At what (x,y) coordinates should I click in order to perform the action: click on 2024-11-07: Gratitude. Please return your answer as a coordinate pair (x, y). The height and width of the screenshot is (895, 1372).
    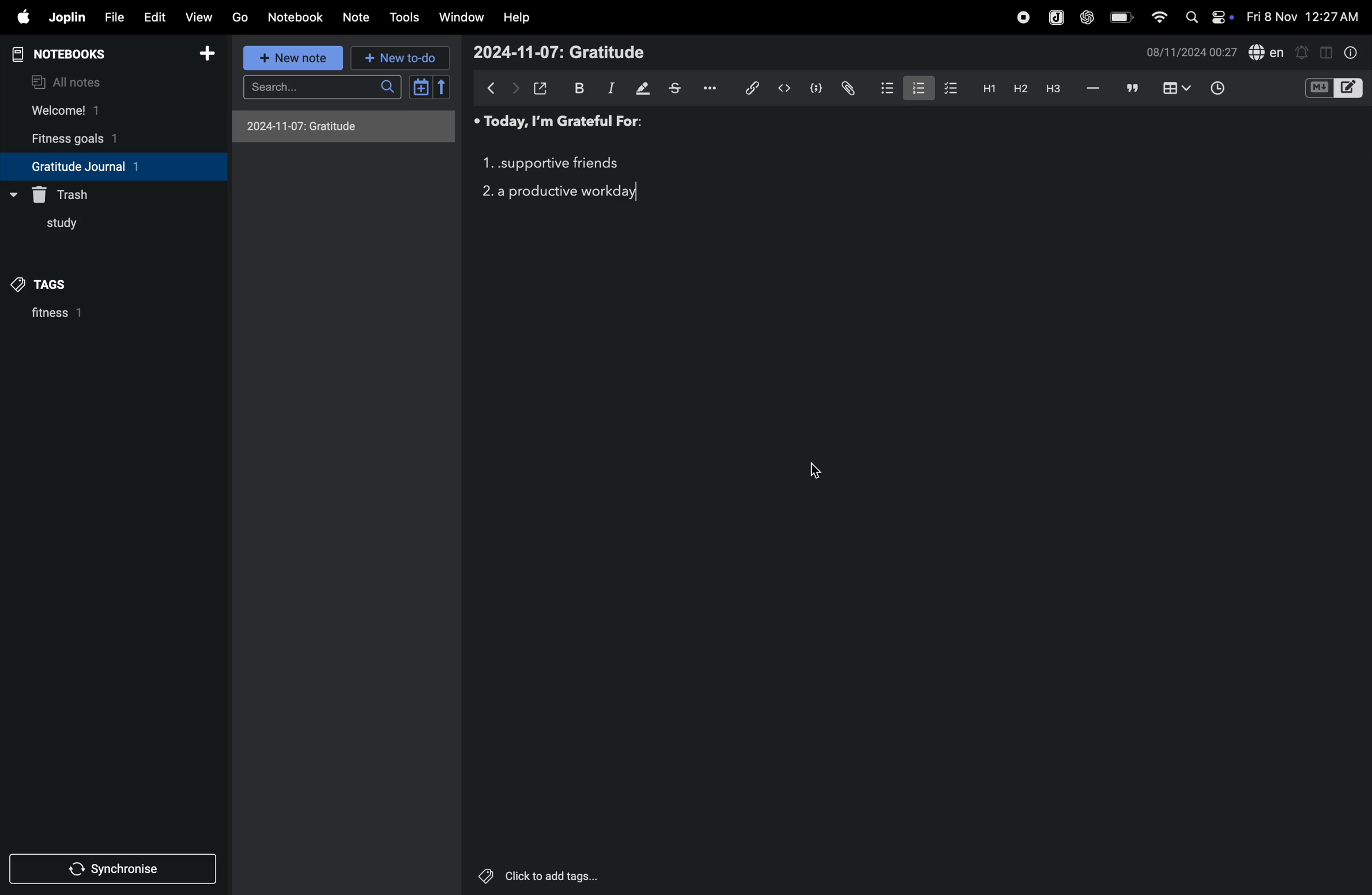
    Looking at the image, I should click on (558, 52).